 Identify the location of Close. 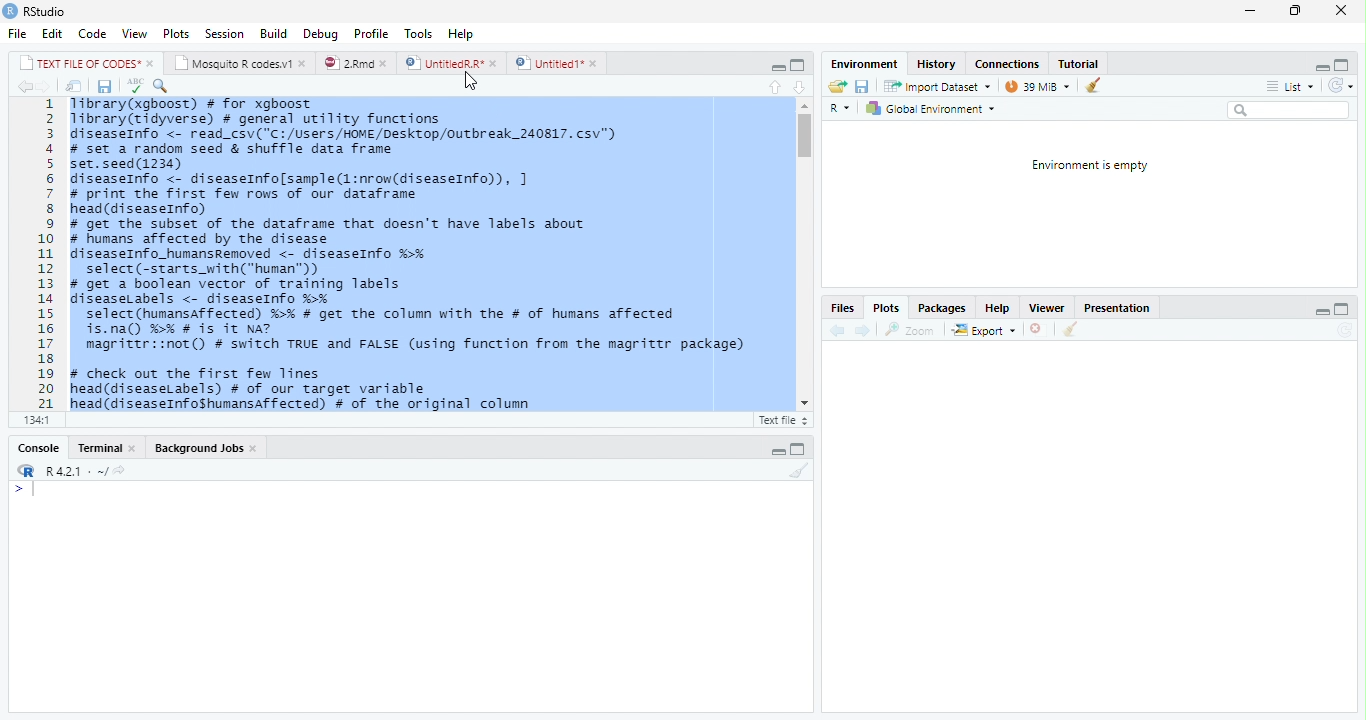
(1340, 11).